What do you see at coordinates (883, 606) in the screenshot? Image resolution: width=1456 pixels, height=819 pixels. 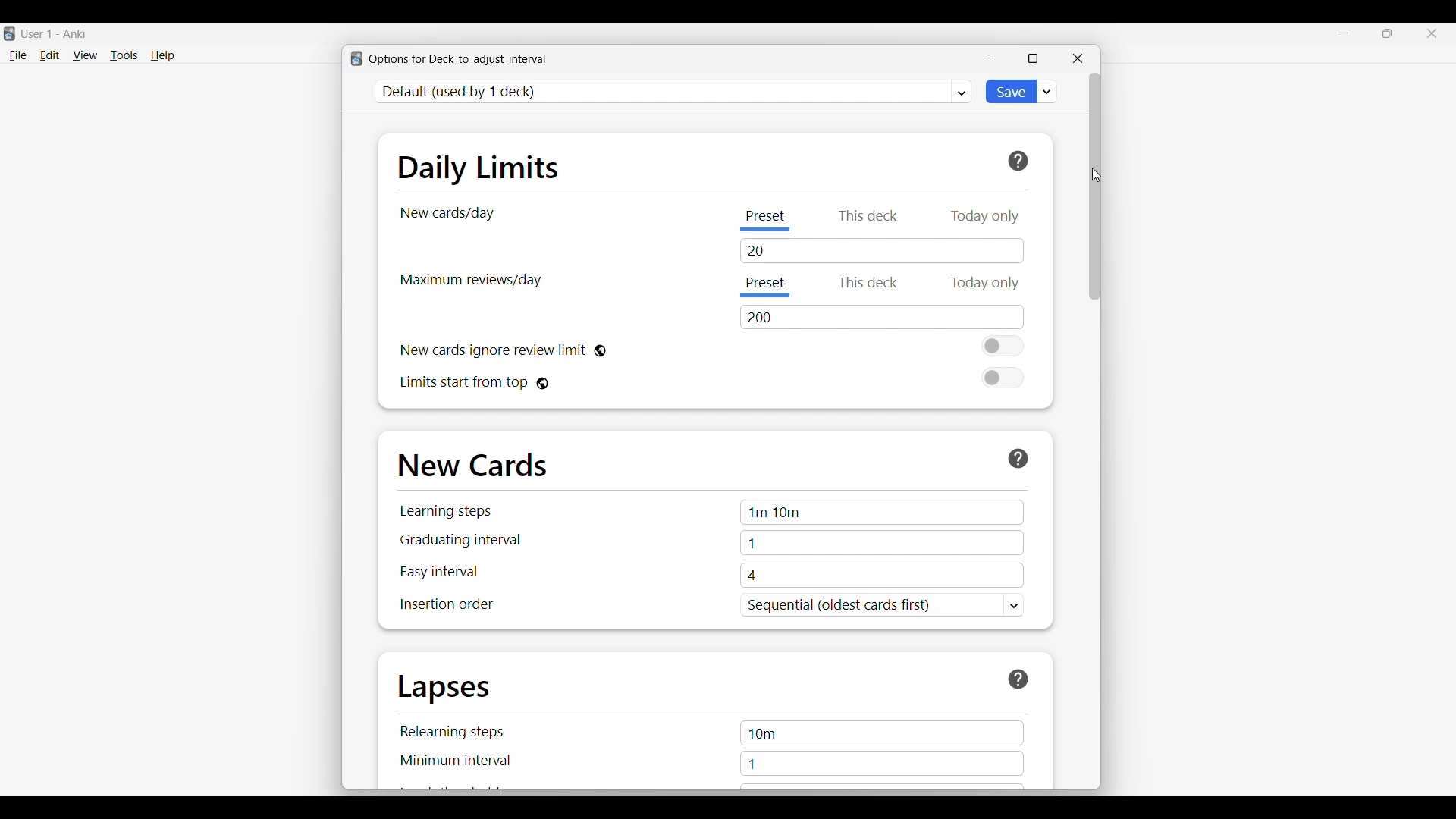 I see `Sequential (oldest cars first)` at bounding box center [883, 606].